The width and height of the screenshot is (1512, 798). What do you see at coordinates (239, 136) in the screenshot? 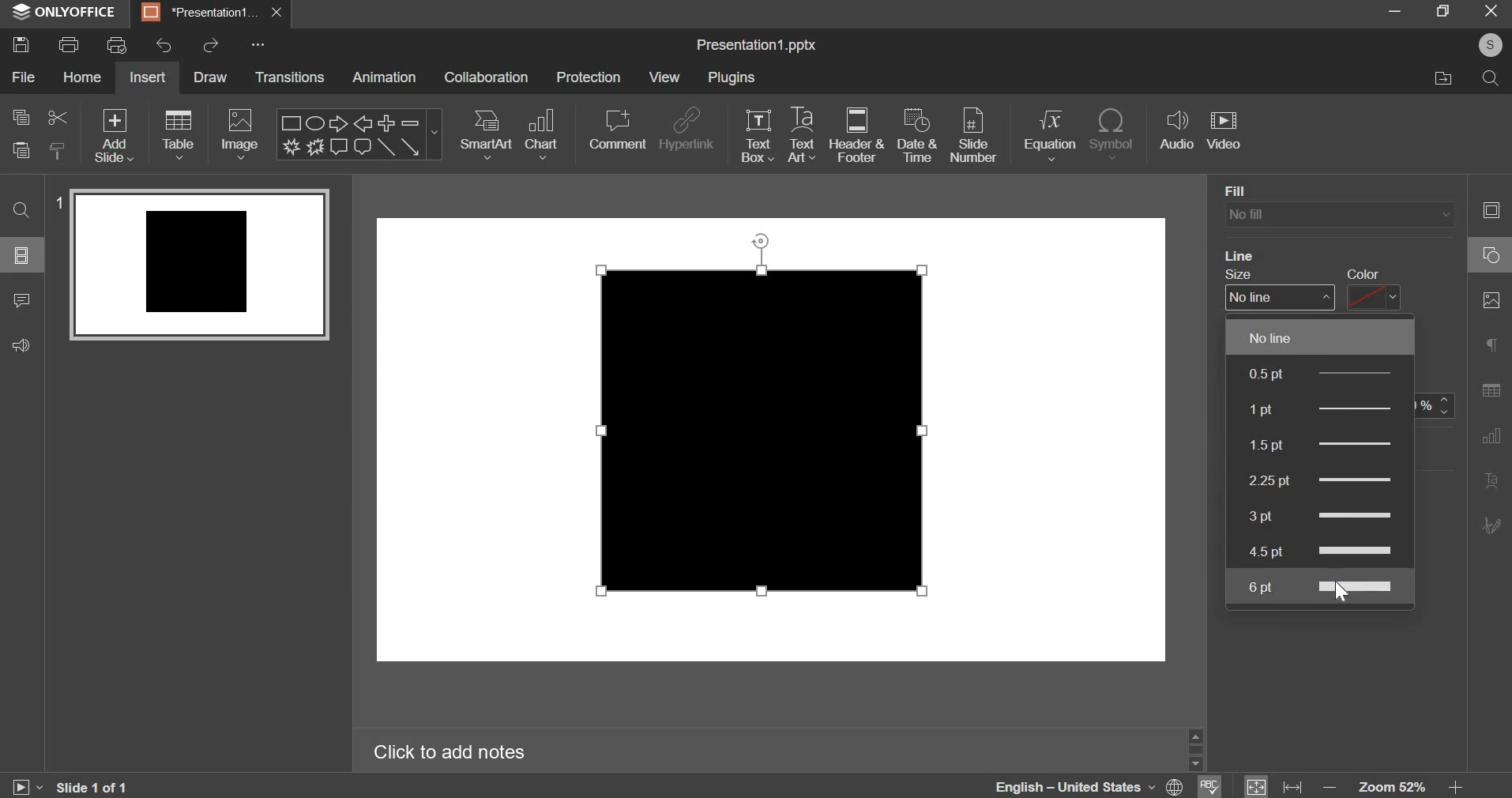
I see `image` at bounding box center [239, 136].